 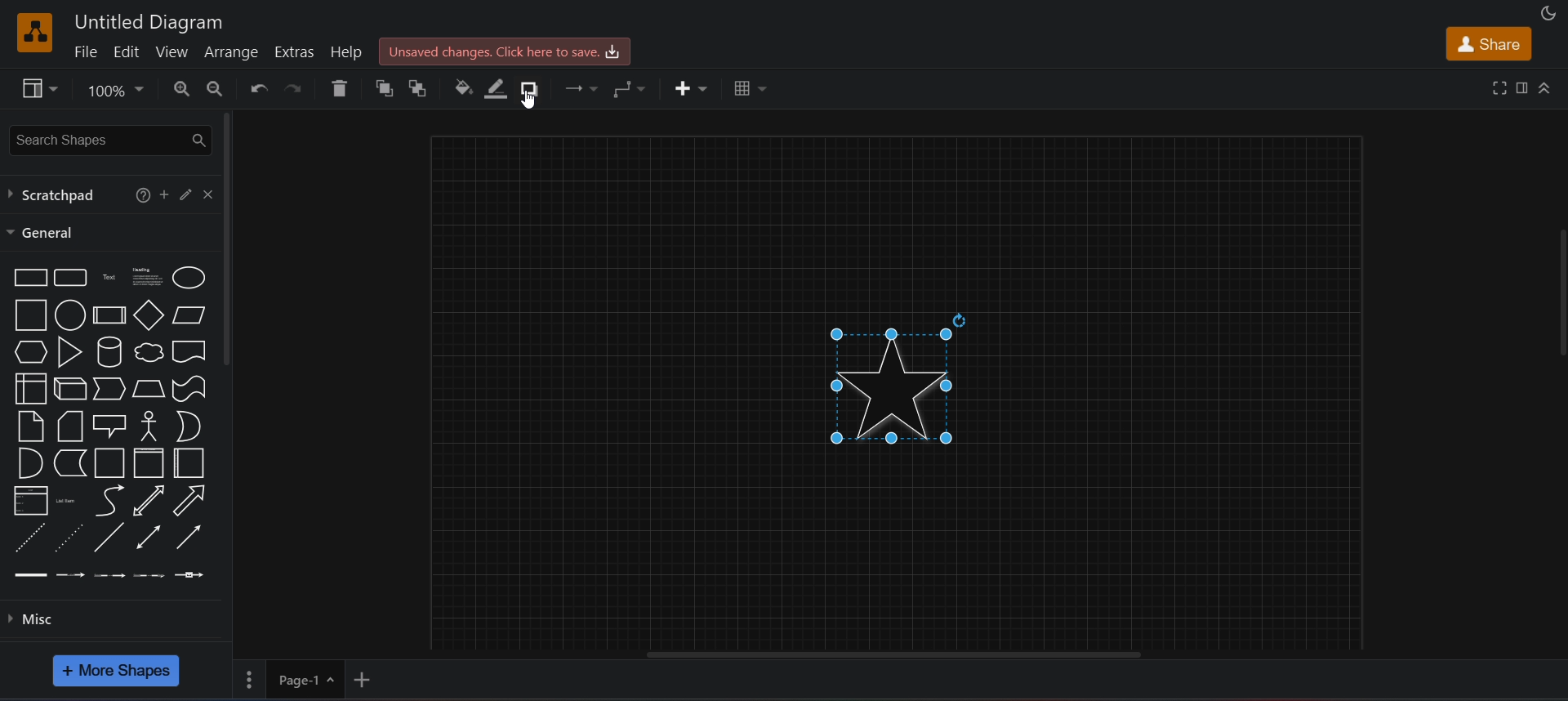 What do you see at coordinates (112, 537) in the screenshot?
I see `line` at bounding box center [112, 537].